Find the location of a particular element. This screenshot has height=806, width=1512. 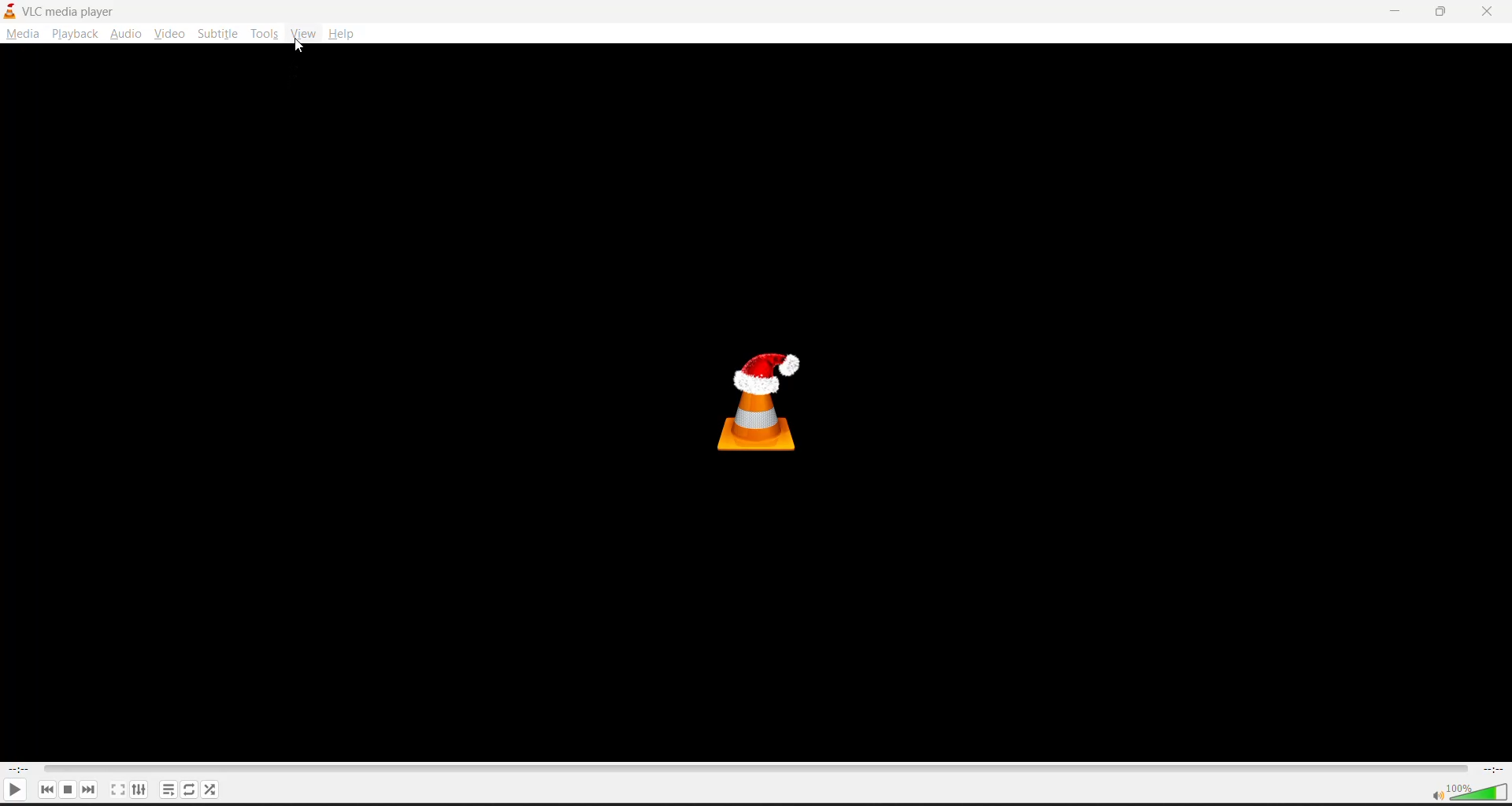

close is located at coordinates (1488, 13).